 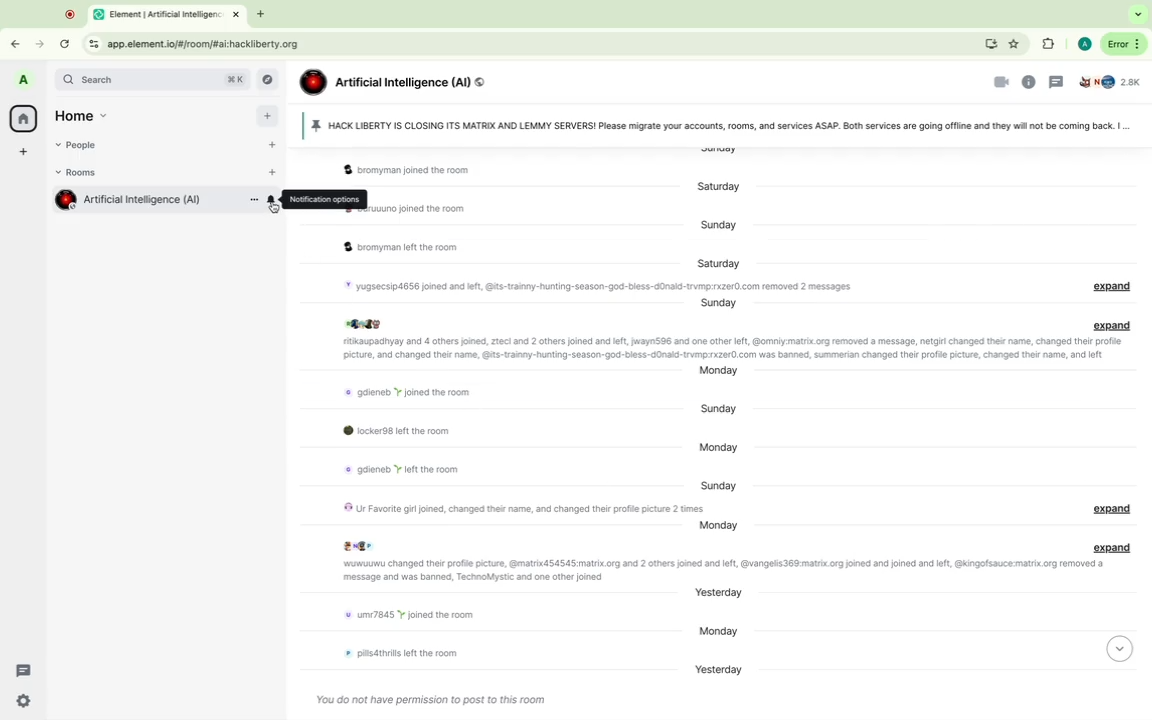 What do you see at coordinates (408, 618) in the screenshot?
I see `Message` at bounding box center [408, 618].